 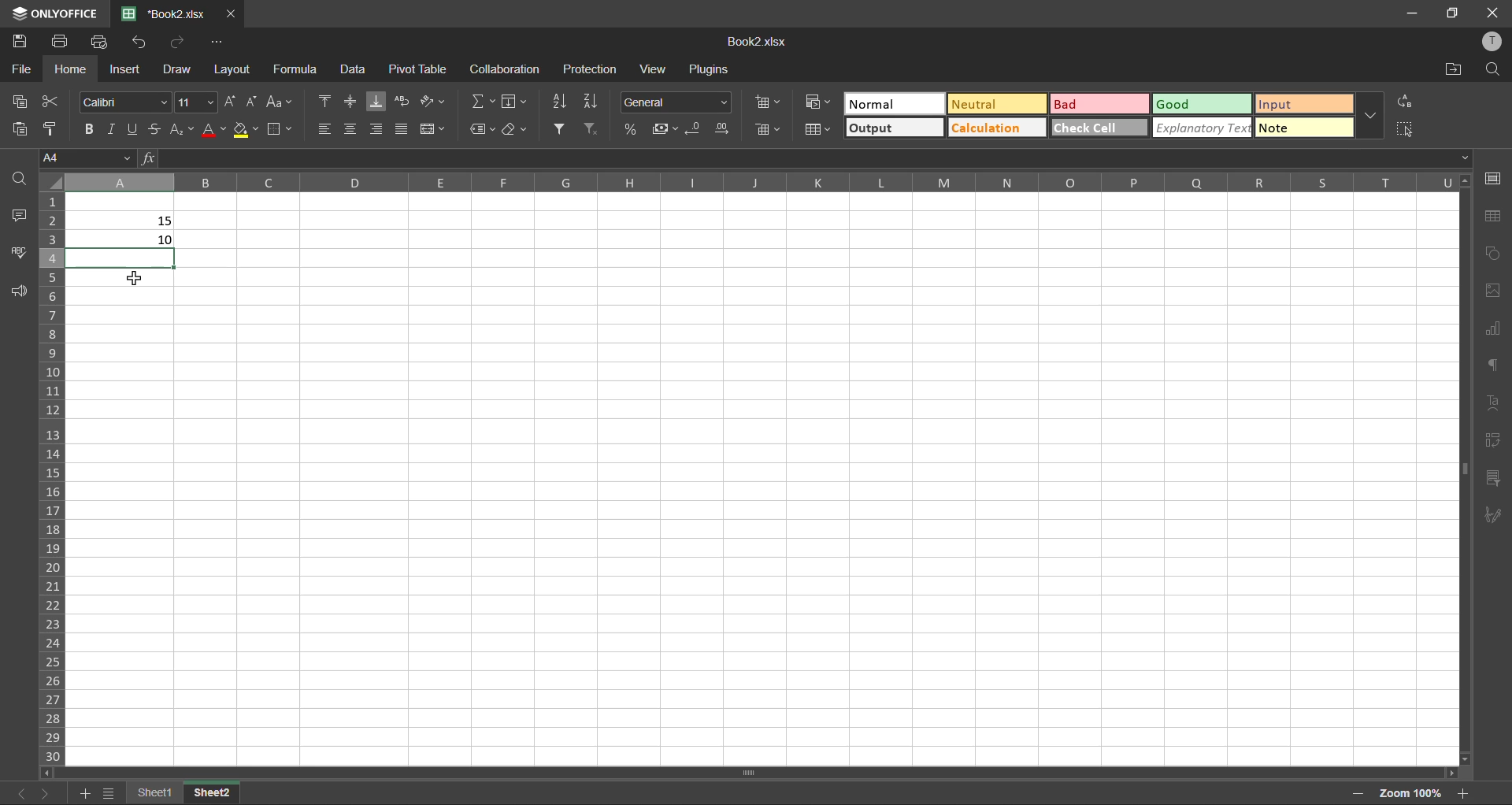 What do you see at coordinates (175, 69) in the screenshot?
I see `draw` at bounding box center [175, 69].